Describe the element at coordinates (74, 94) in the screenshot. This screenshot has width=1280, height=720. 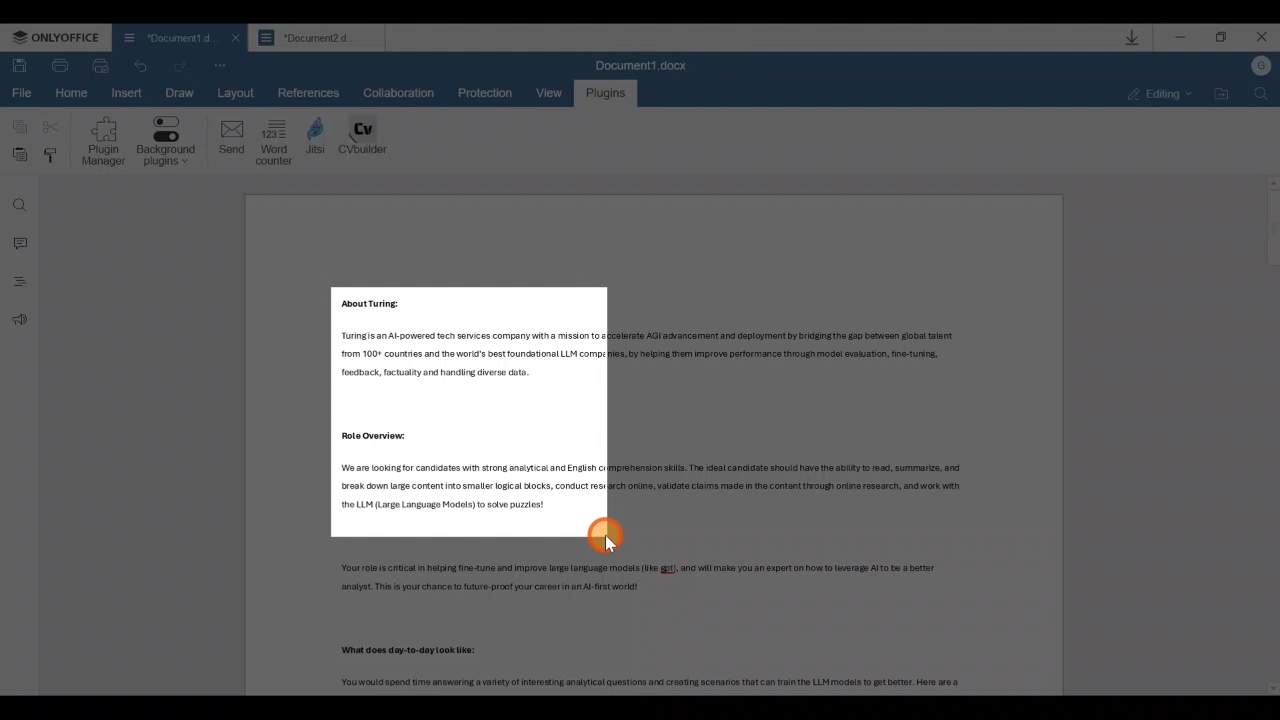
I see `Home` at that location.